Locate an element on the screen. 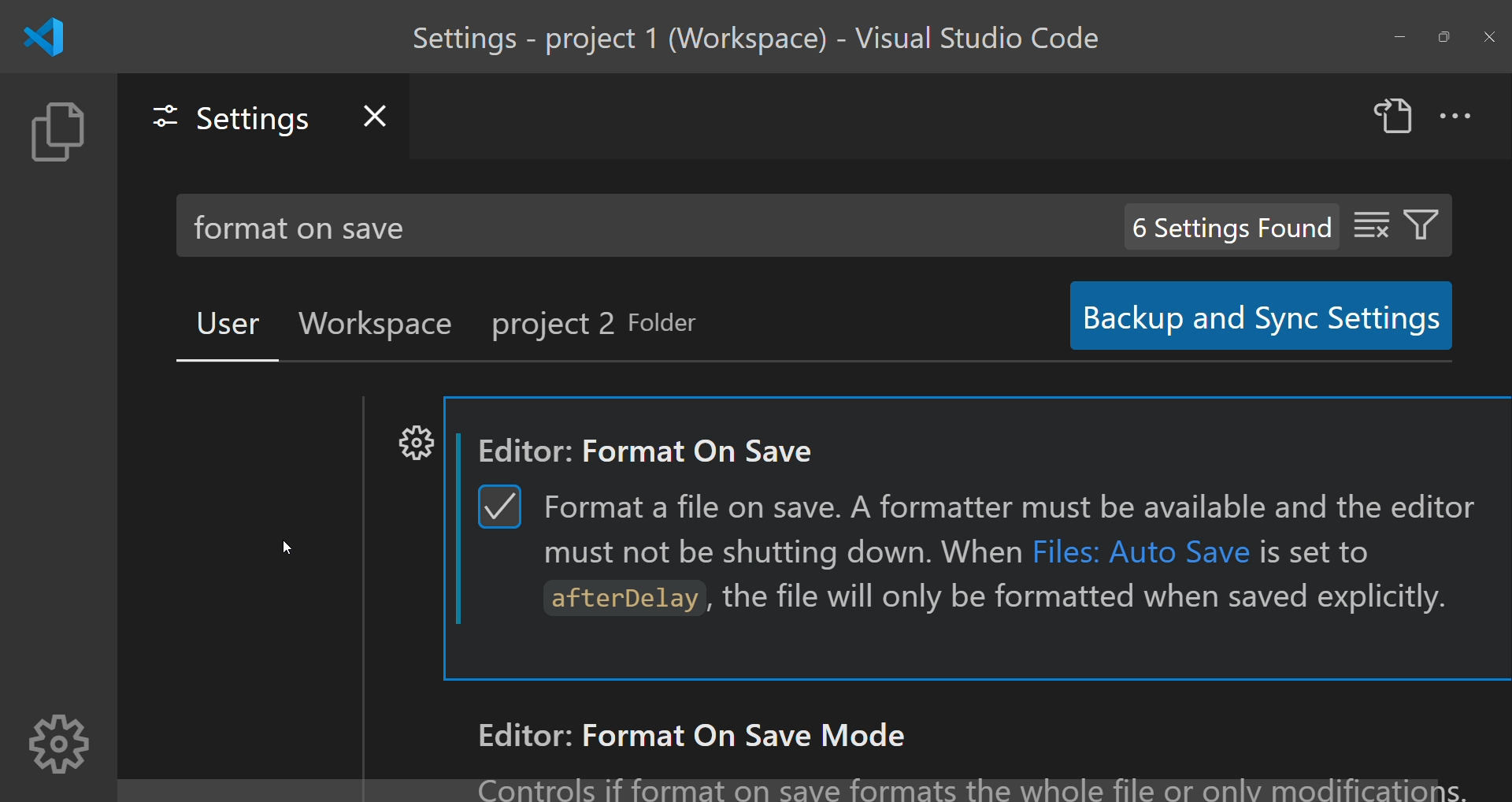  down. When is located at coordinates (935, 551).